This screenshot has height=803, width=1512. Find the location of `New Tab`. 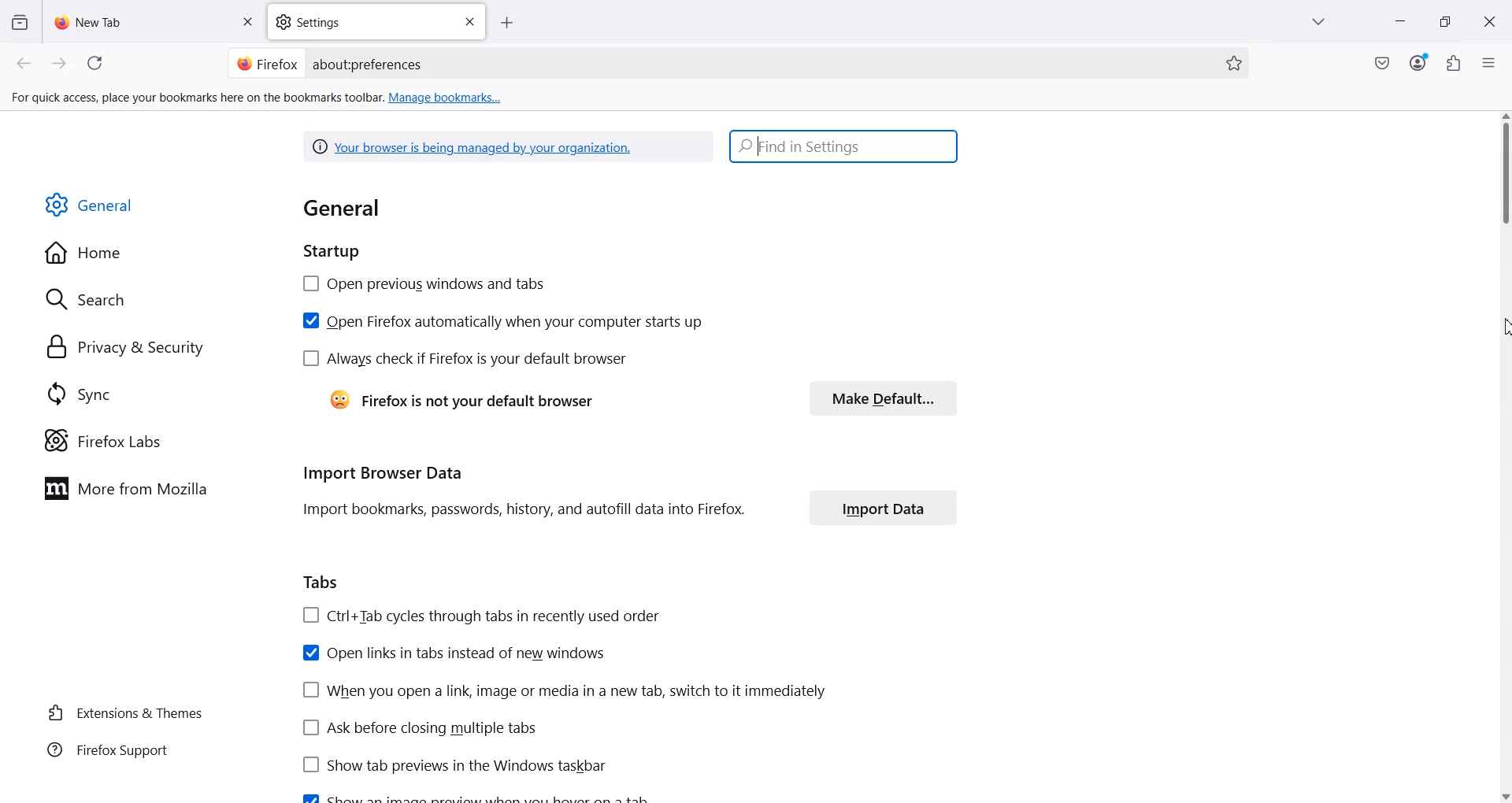

New Tab is located at coordinates (155, 21).